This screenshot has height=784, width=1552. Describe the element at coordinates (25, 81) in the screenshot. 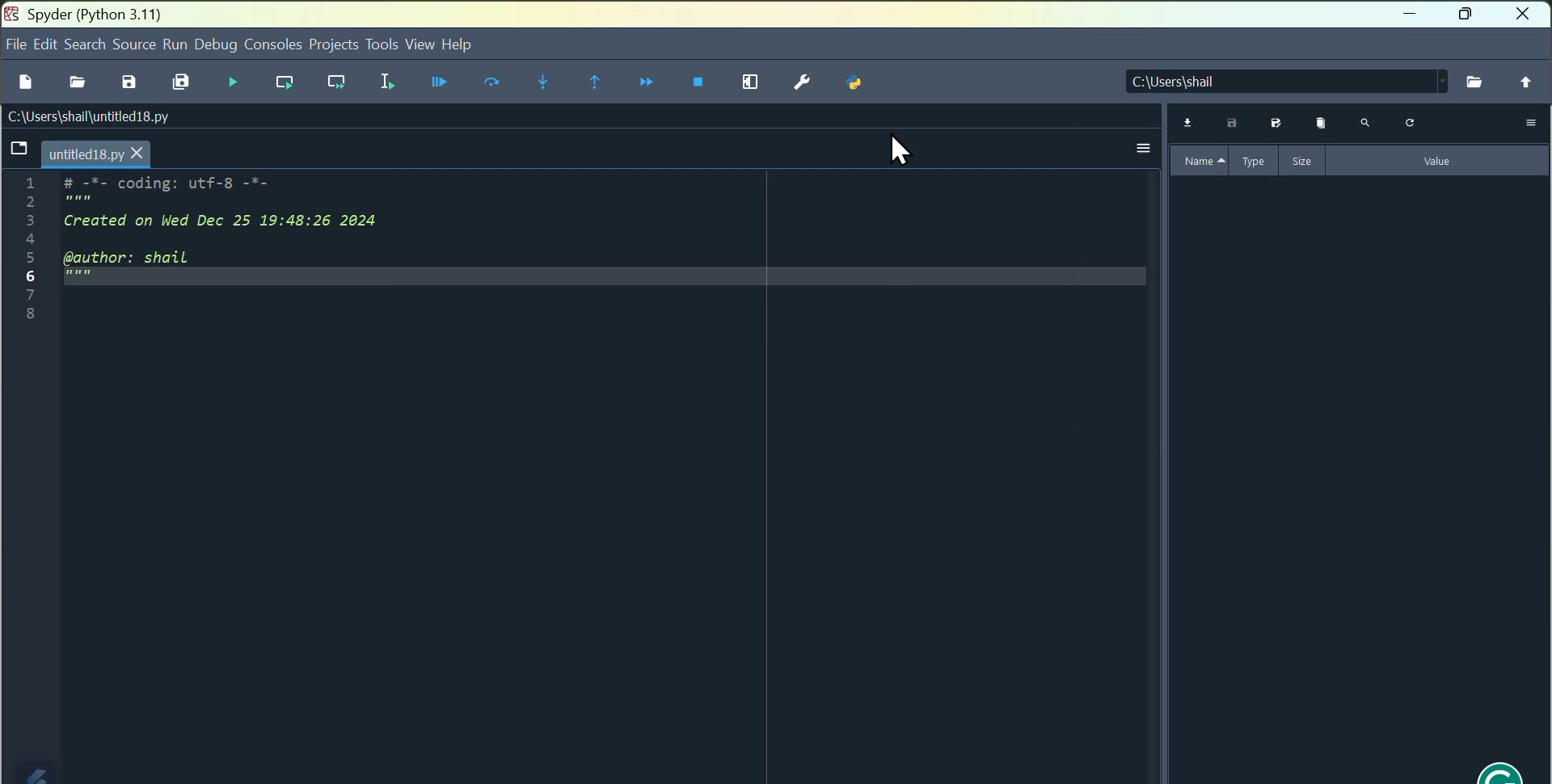

I see `New file` at that location.